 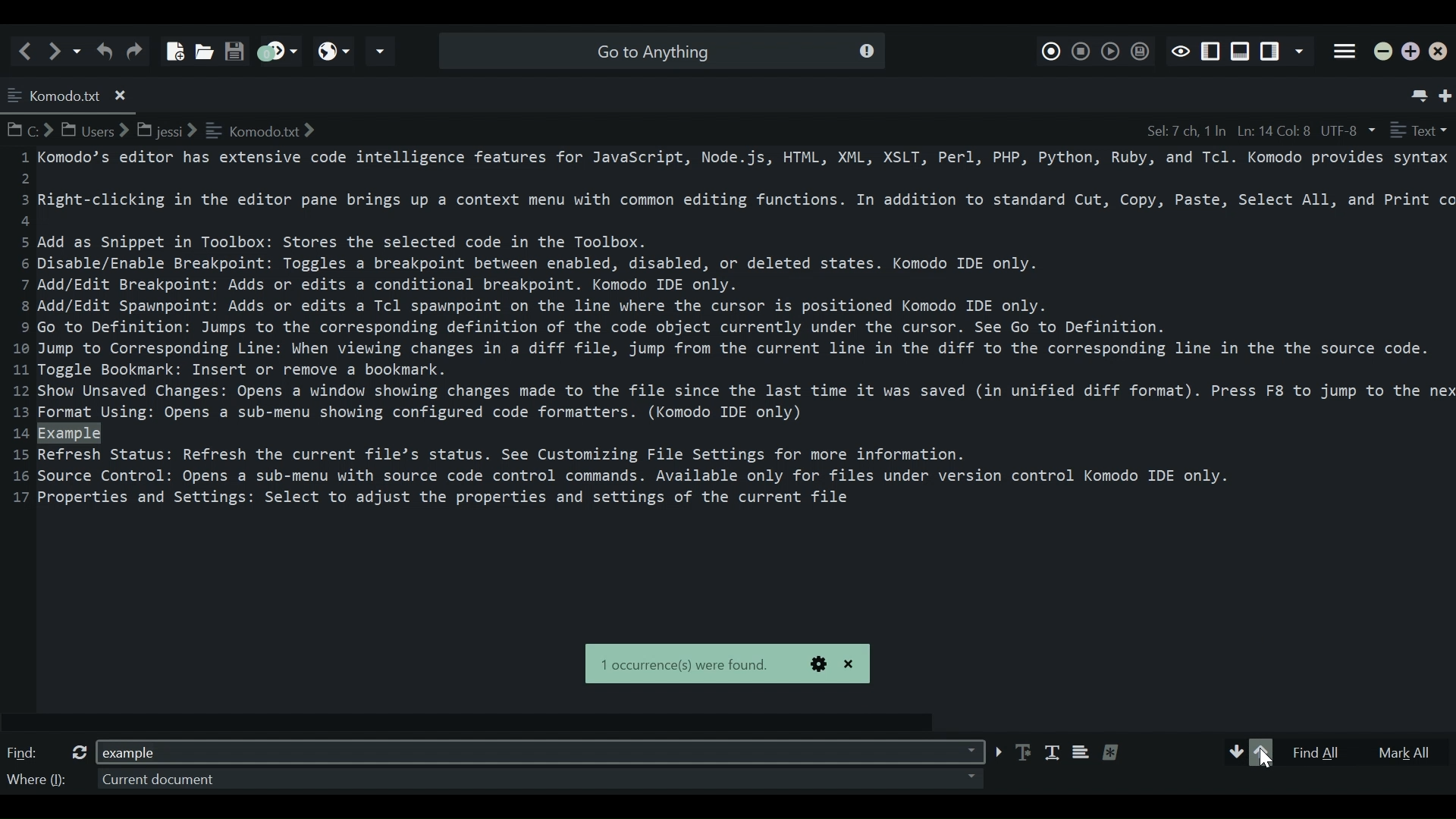 I want to click on New File, so click(x=172, y=45).